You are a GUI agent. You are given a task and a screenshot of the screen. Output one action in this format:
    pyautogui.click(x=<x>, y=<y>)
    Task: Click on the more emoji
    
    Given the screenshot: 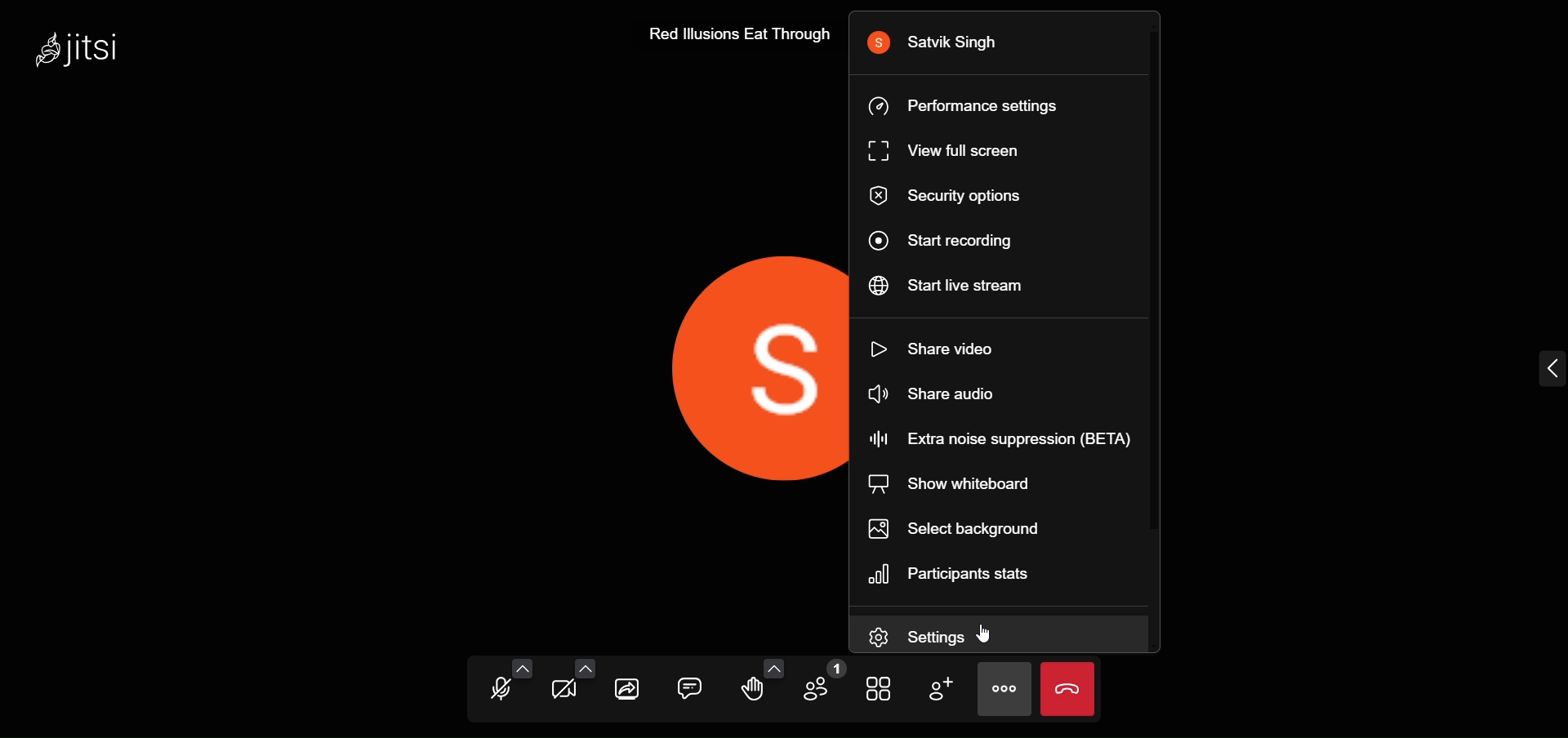 What is the action you would take?
    pyautogui.click(x=775, y=667)
    